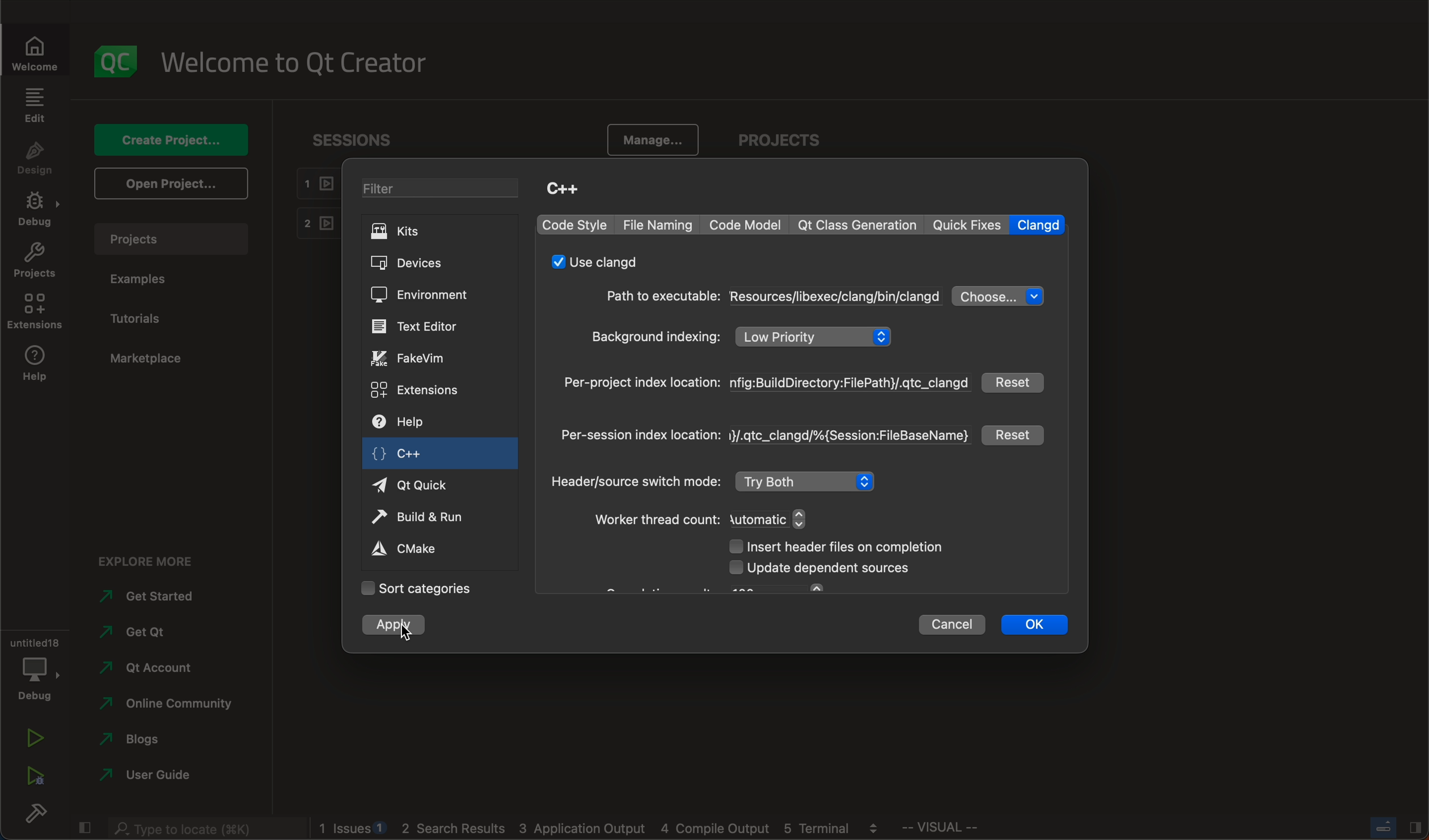 The image size is (1429, 840). I want to click on choose, so click(999, 295).